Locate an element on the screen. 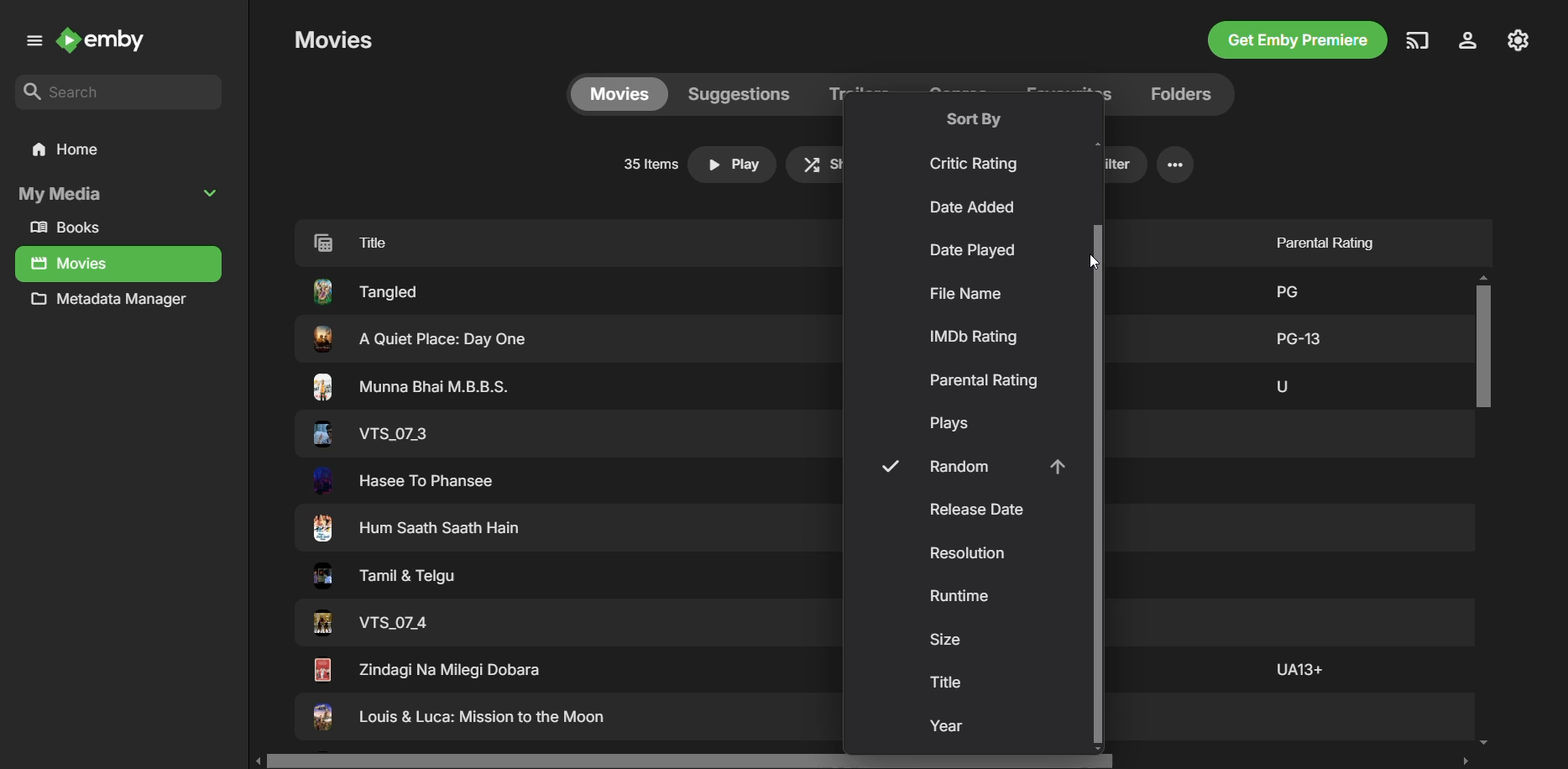 The height and width of the screenshot is (769, 1568).  is located at coordinates (64, 193).